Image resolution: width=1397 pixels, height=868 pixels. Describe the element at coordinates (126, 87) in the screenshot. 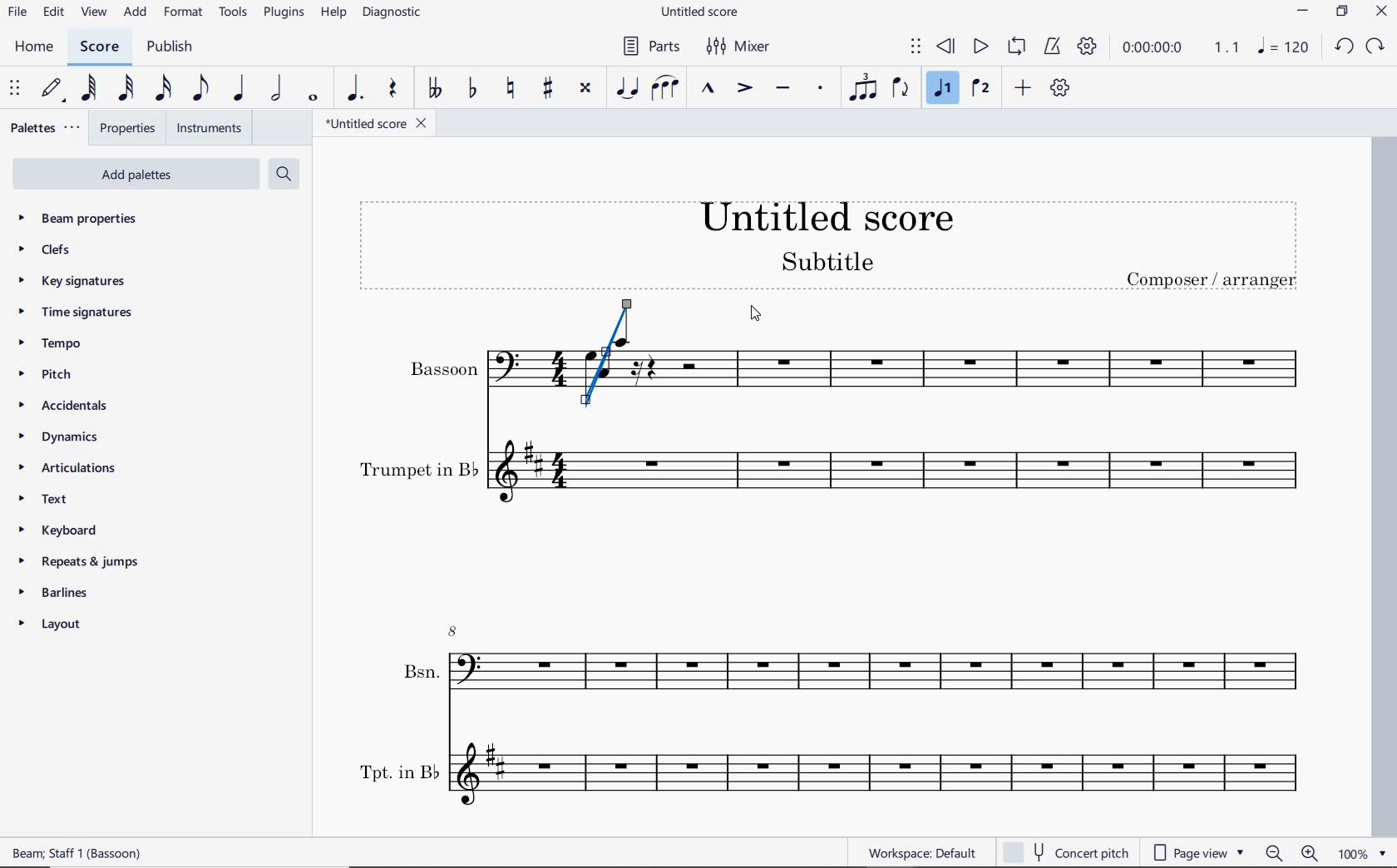

I see `32nd note` at that location.